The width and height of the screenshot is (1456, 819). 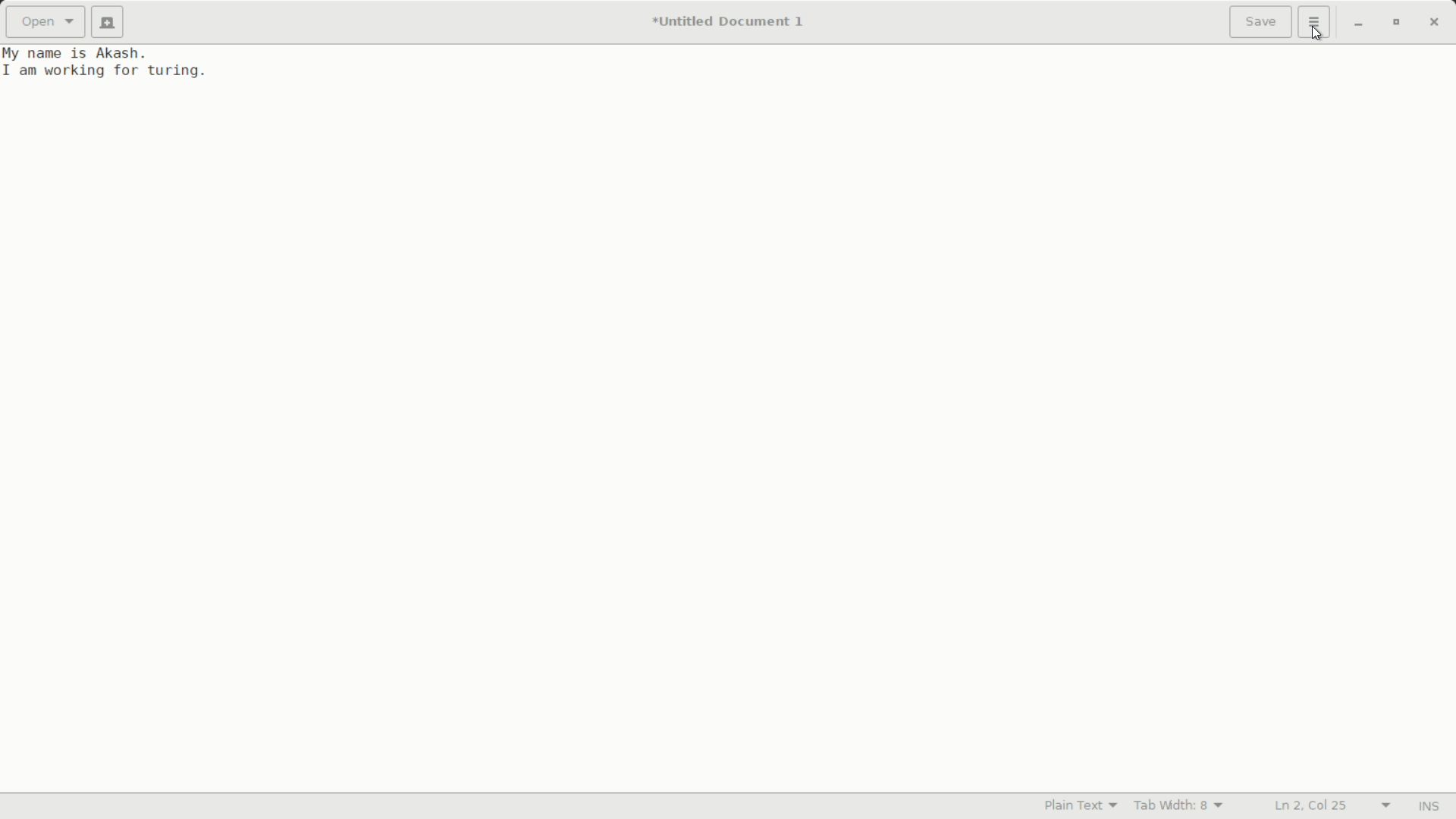 What do you see at coordinates (1358, 24) in the screenshot?
I see `minimize` at bounding box center [1358, 24].